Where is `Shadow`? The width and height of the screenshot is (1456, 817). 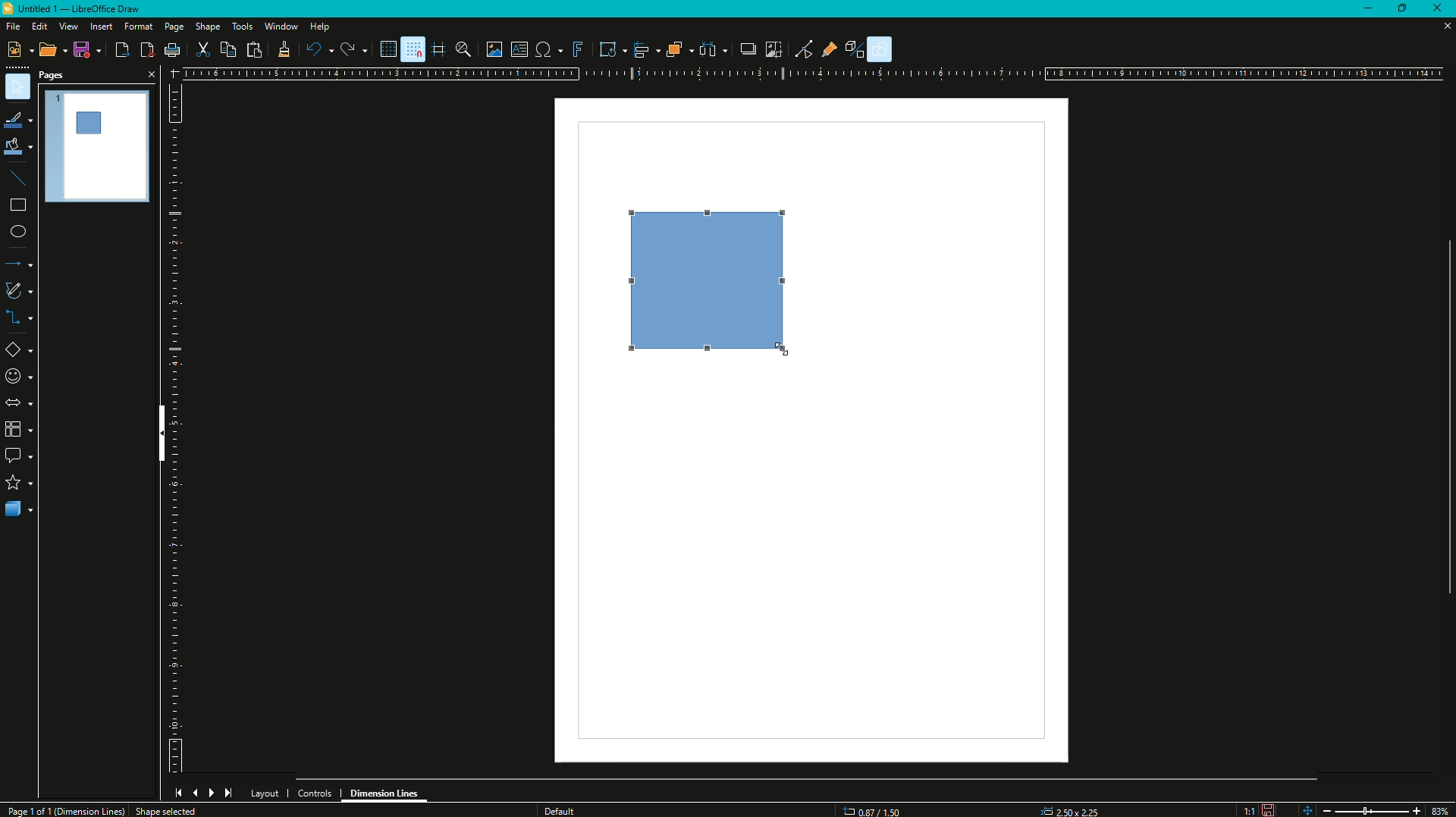
Shadow is located at coordinates (744, 49).